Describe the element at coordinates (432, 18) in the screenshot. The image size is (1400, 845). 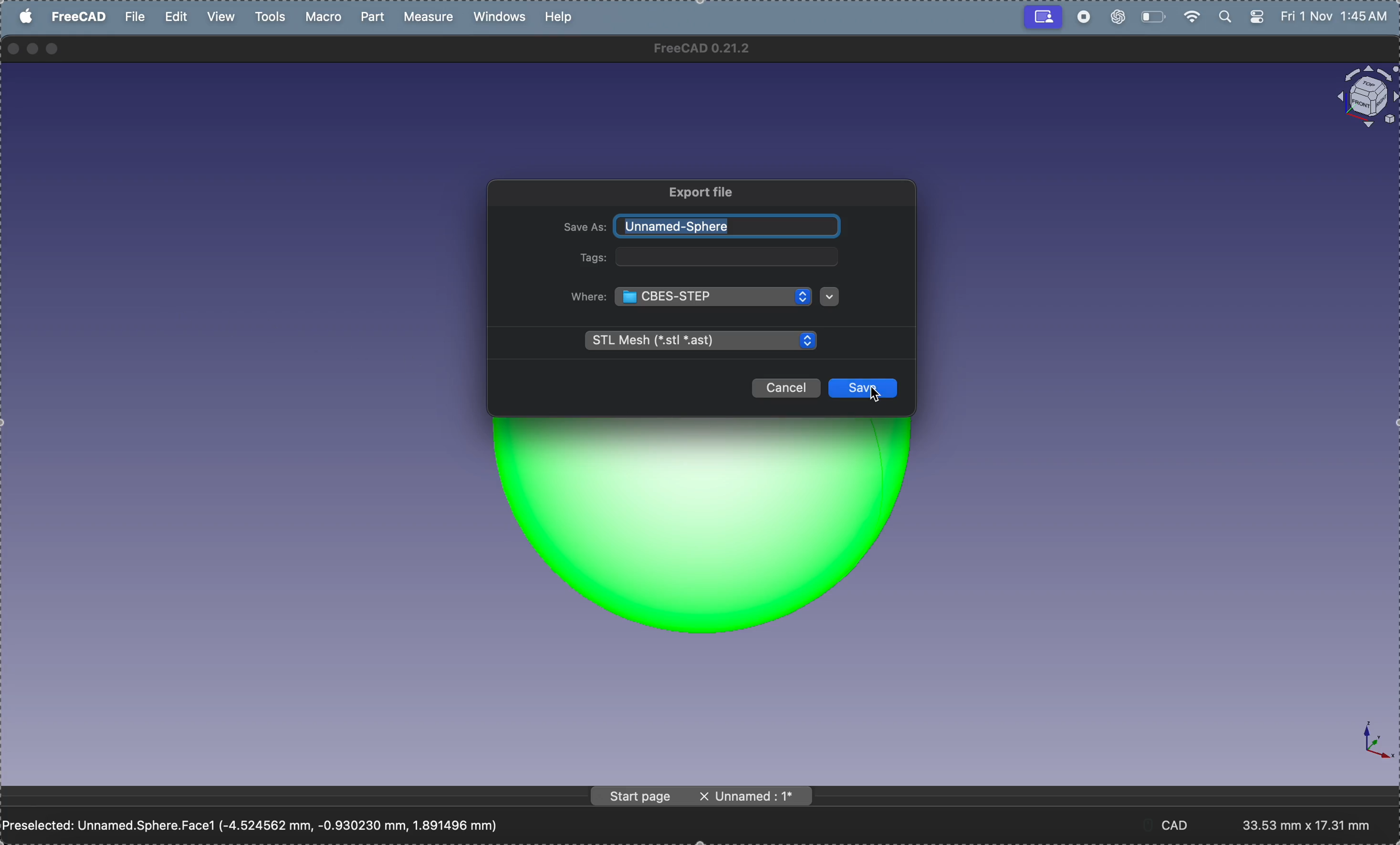
I see `measure` at that location.